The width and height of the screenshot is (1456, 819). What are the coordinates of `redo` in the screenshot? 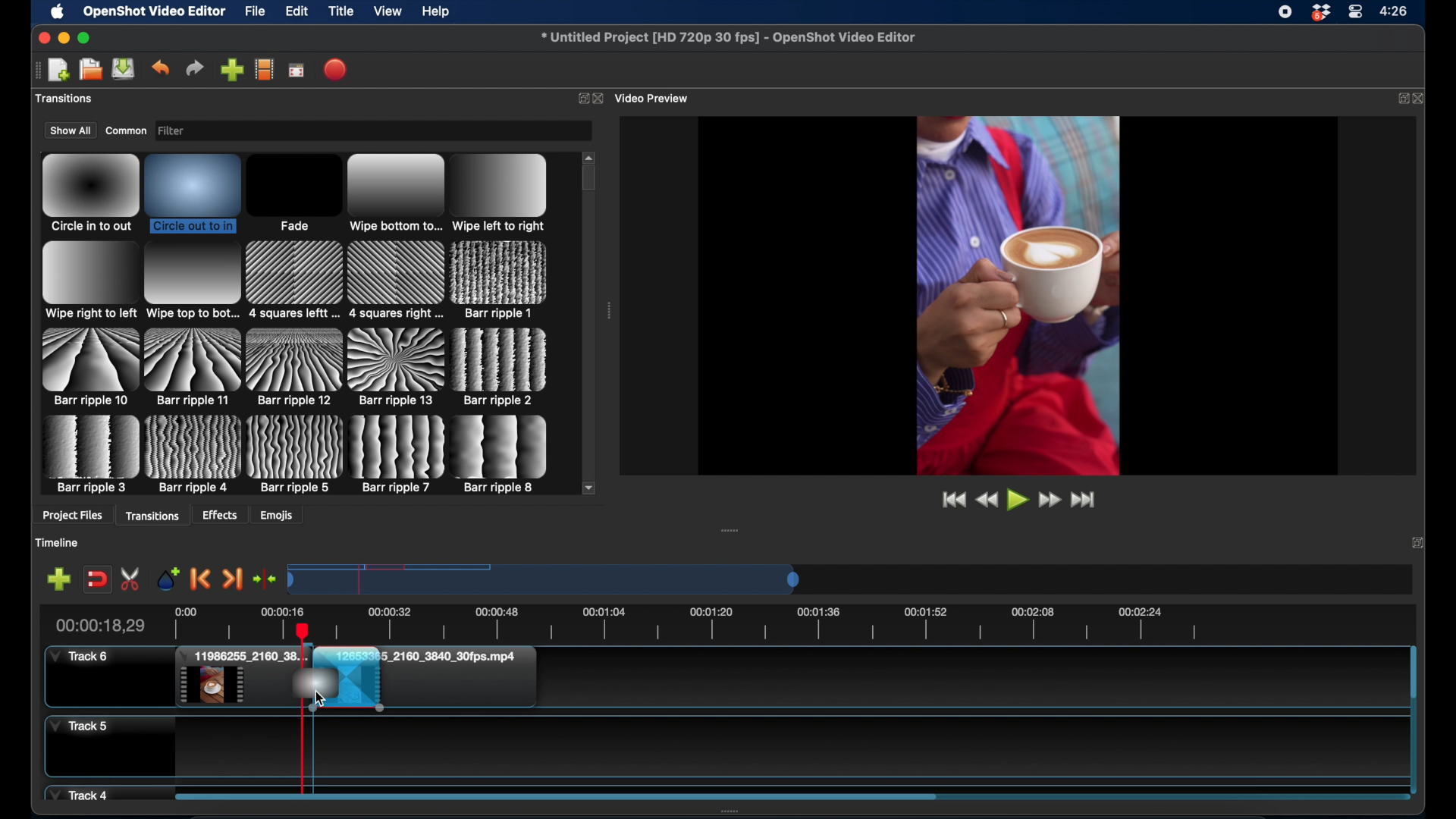 It's located at (195, 68).